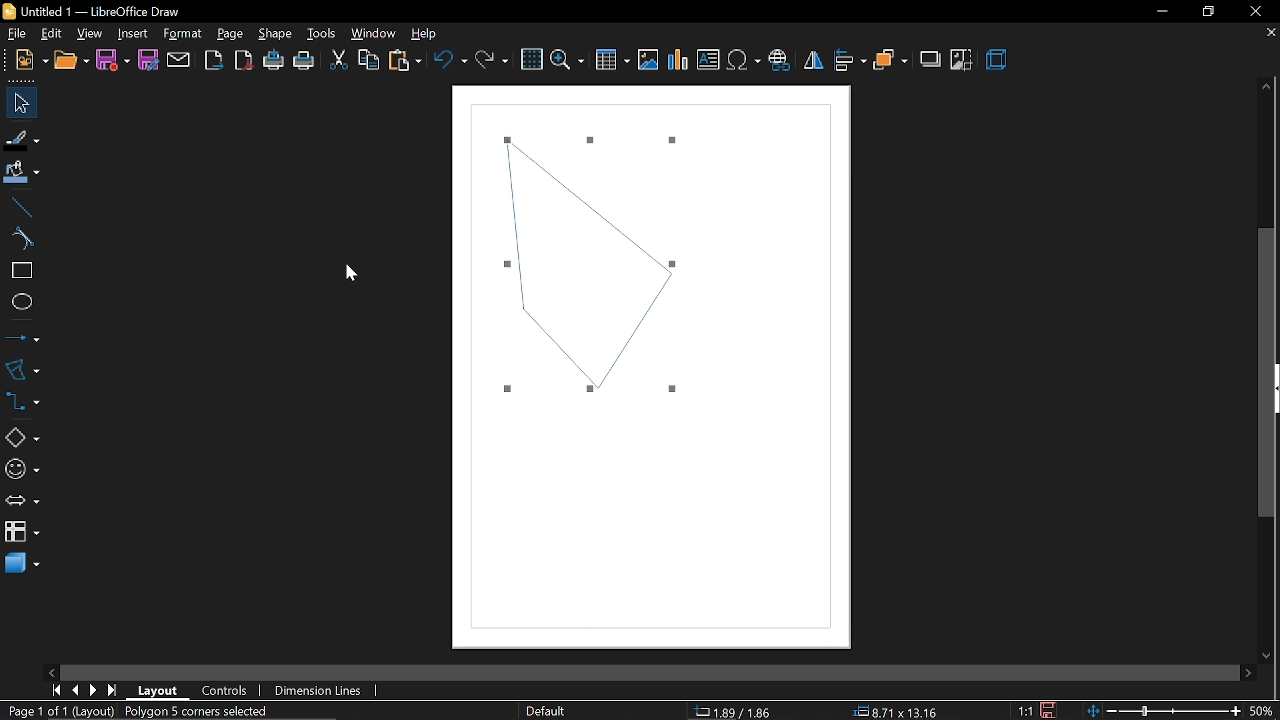  I want to click on view, so click(90, 32).